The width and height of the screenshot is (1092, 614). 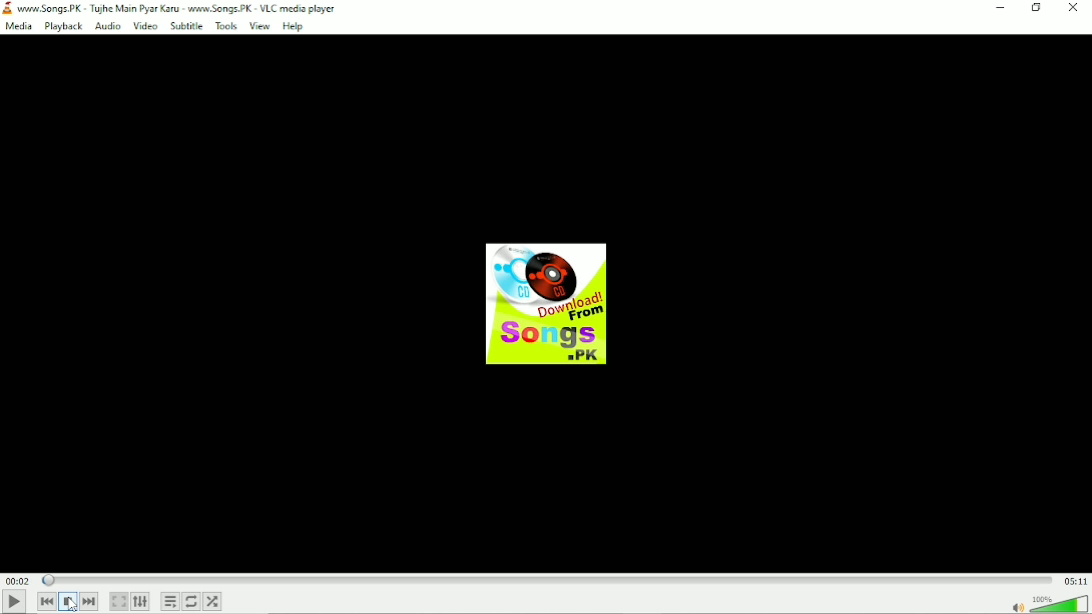 I want to click on Playback, so click(x=64, y=26).